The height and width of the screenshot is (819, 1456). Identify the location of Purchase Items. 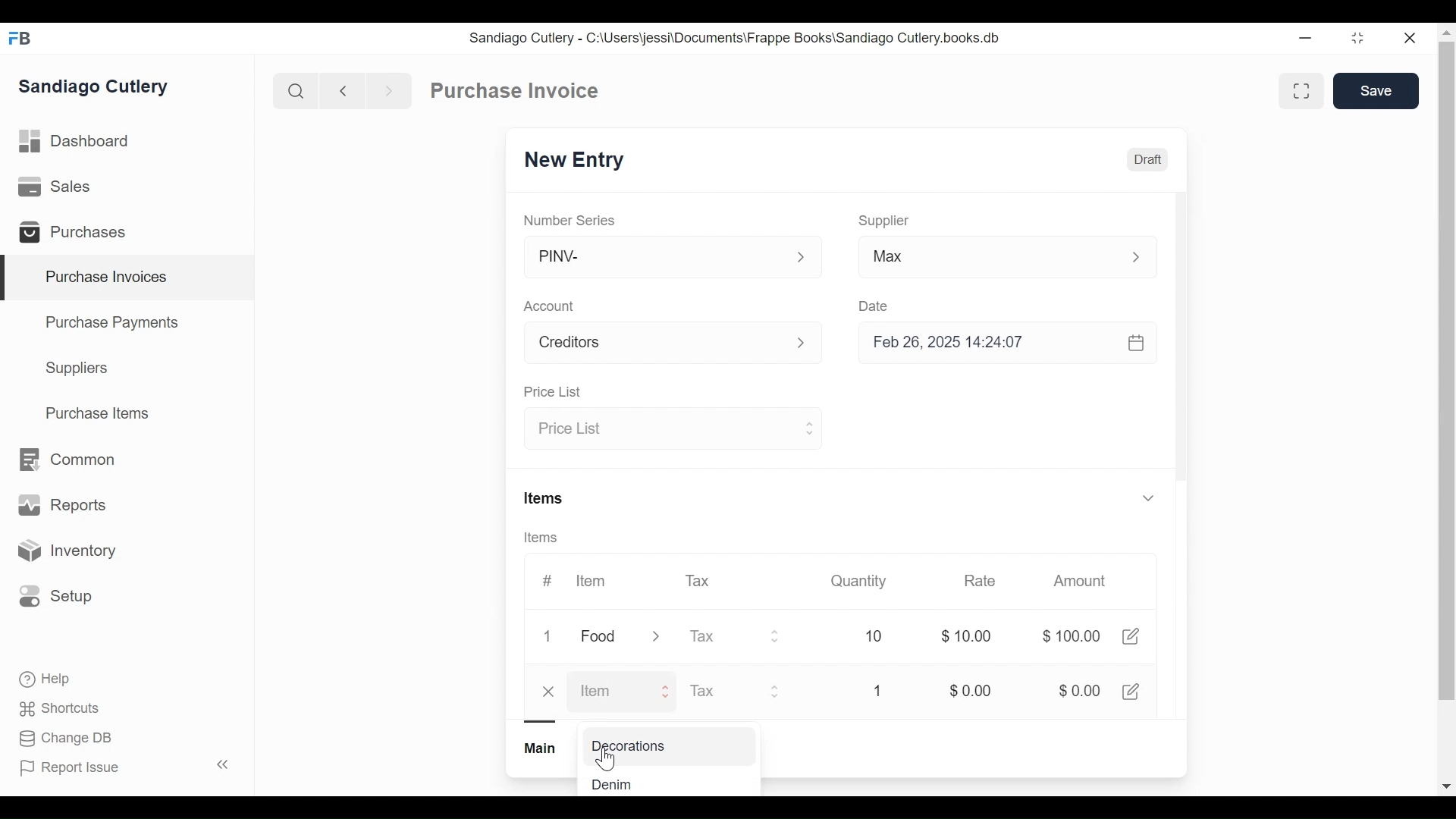
(98, 415).